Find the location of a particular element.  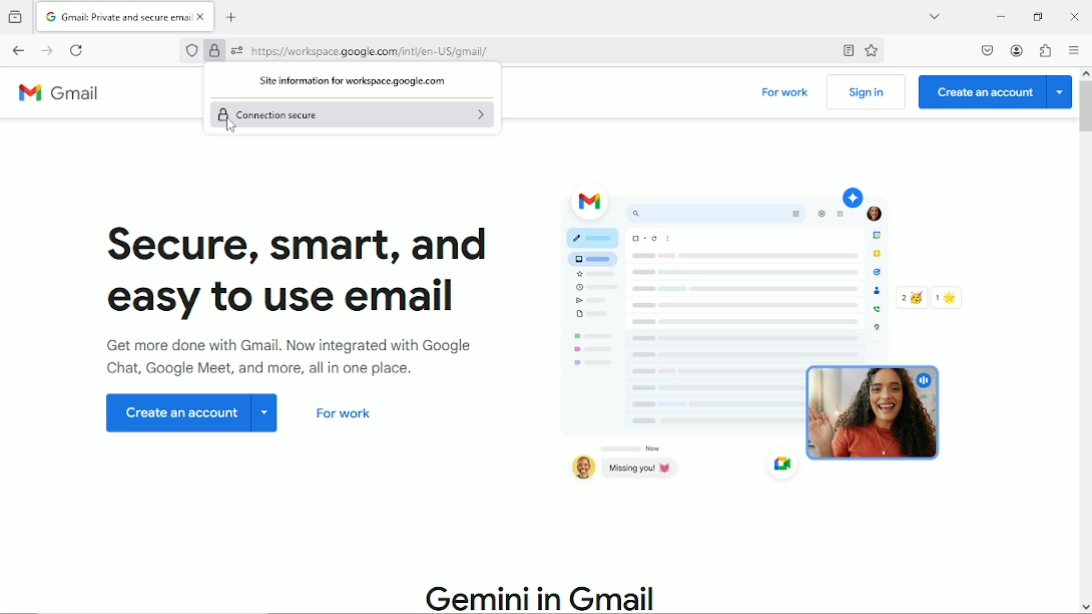

Go back is located at coordinates (19, 49).